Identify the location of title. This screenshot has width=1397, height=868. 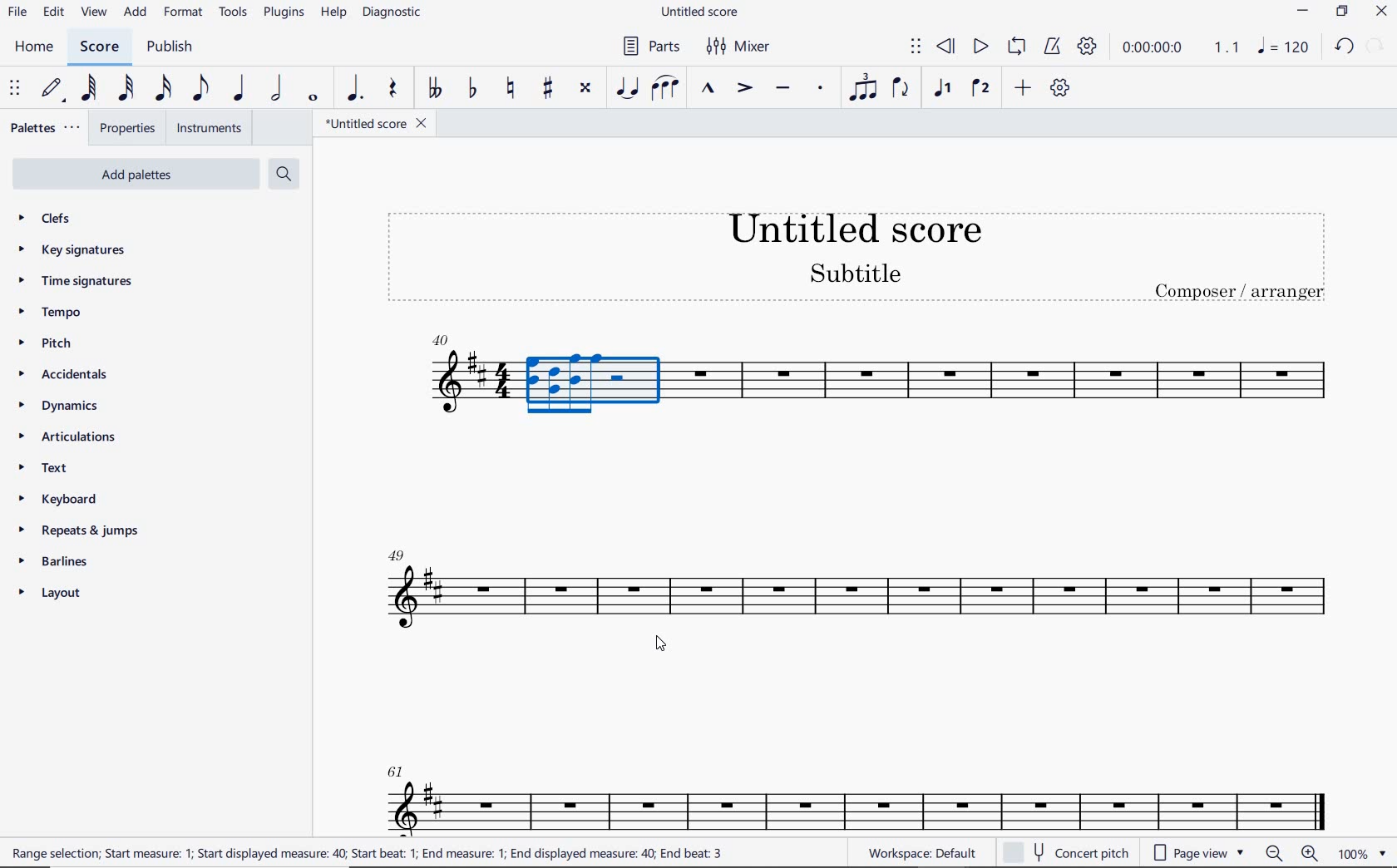
(847, 253).